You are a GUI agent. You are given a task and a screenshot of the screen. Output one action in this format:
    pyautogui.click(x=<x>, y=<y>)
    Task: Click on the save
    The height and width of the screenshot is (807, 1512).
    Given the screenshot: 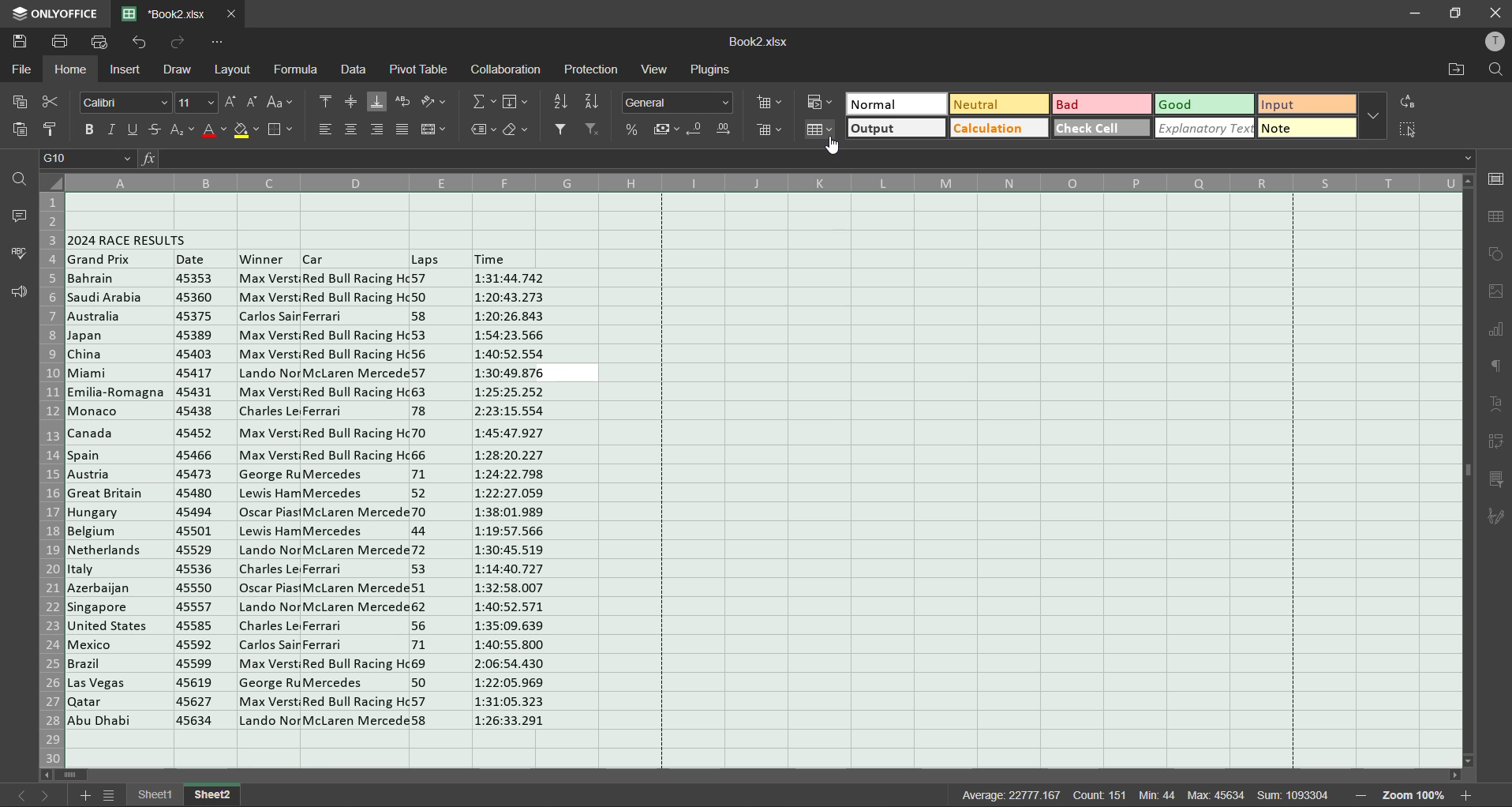 What is the action you would take?
    pyautogui.click(x=22, y=43)
    